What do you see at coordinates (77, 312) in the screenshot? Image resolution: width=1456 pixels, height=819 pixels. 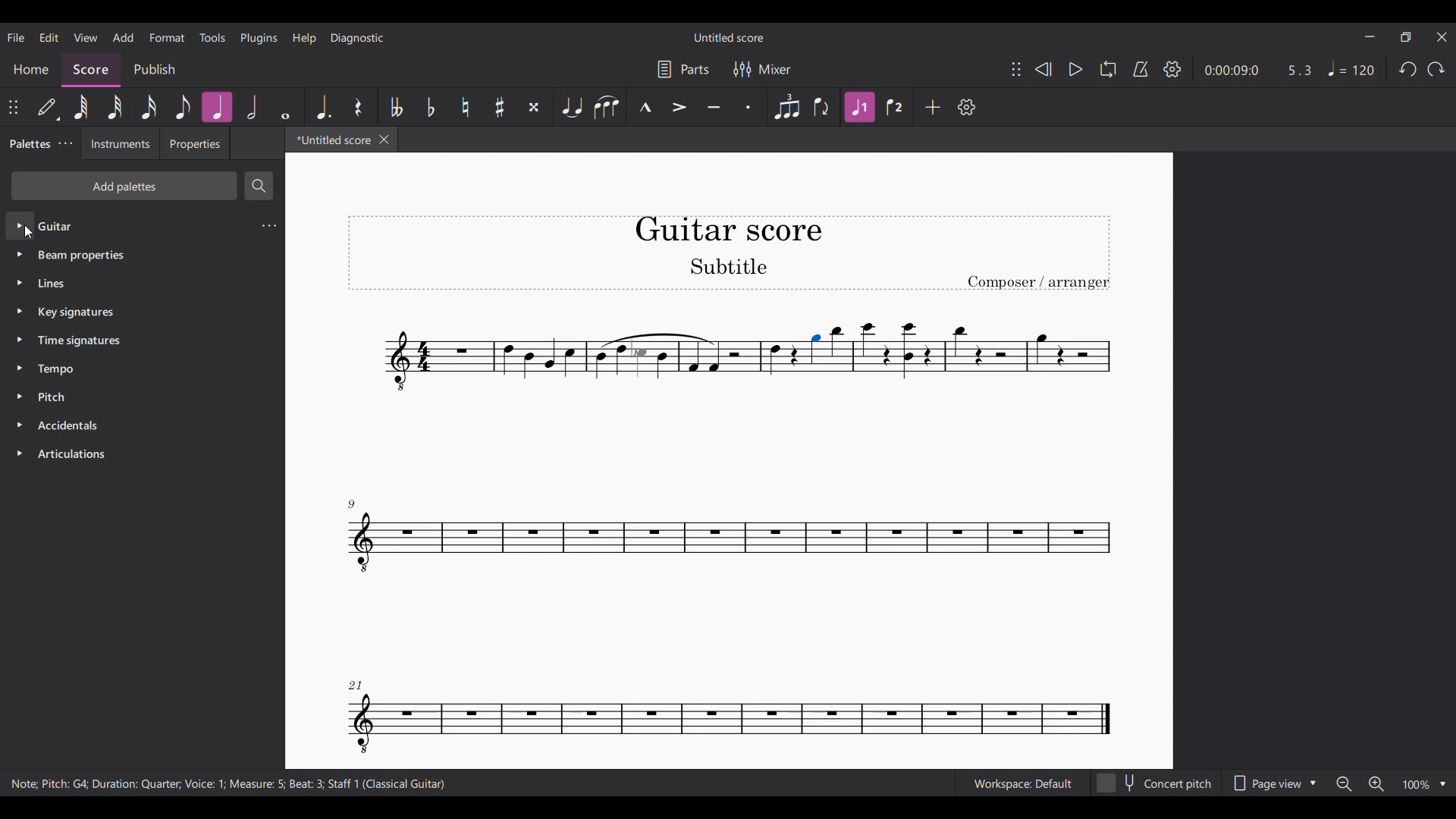 I see `Key signatures palette` at bounding box center [77, 312].